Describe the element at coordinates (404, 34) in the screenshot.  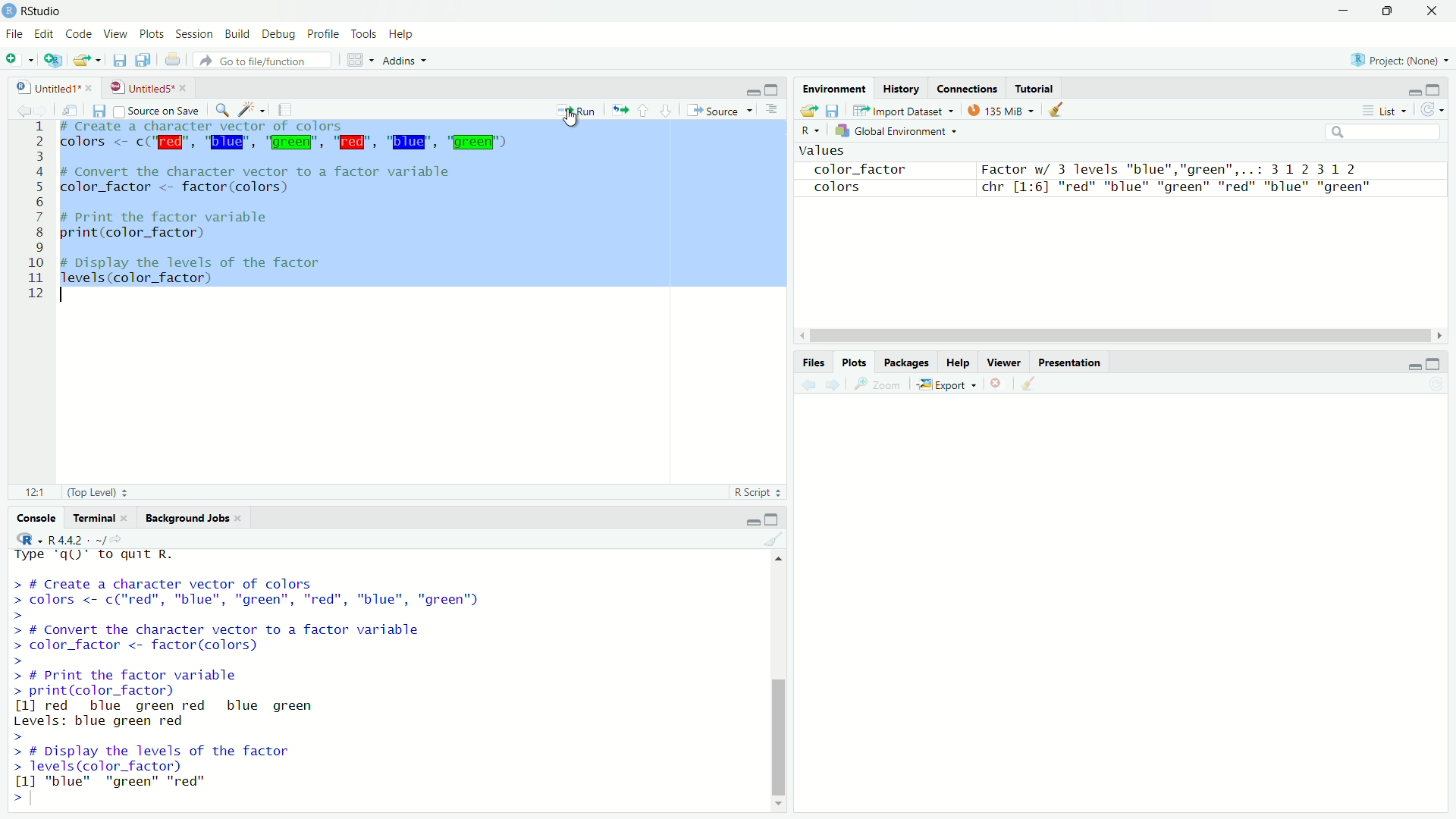
I see `help` at that location.